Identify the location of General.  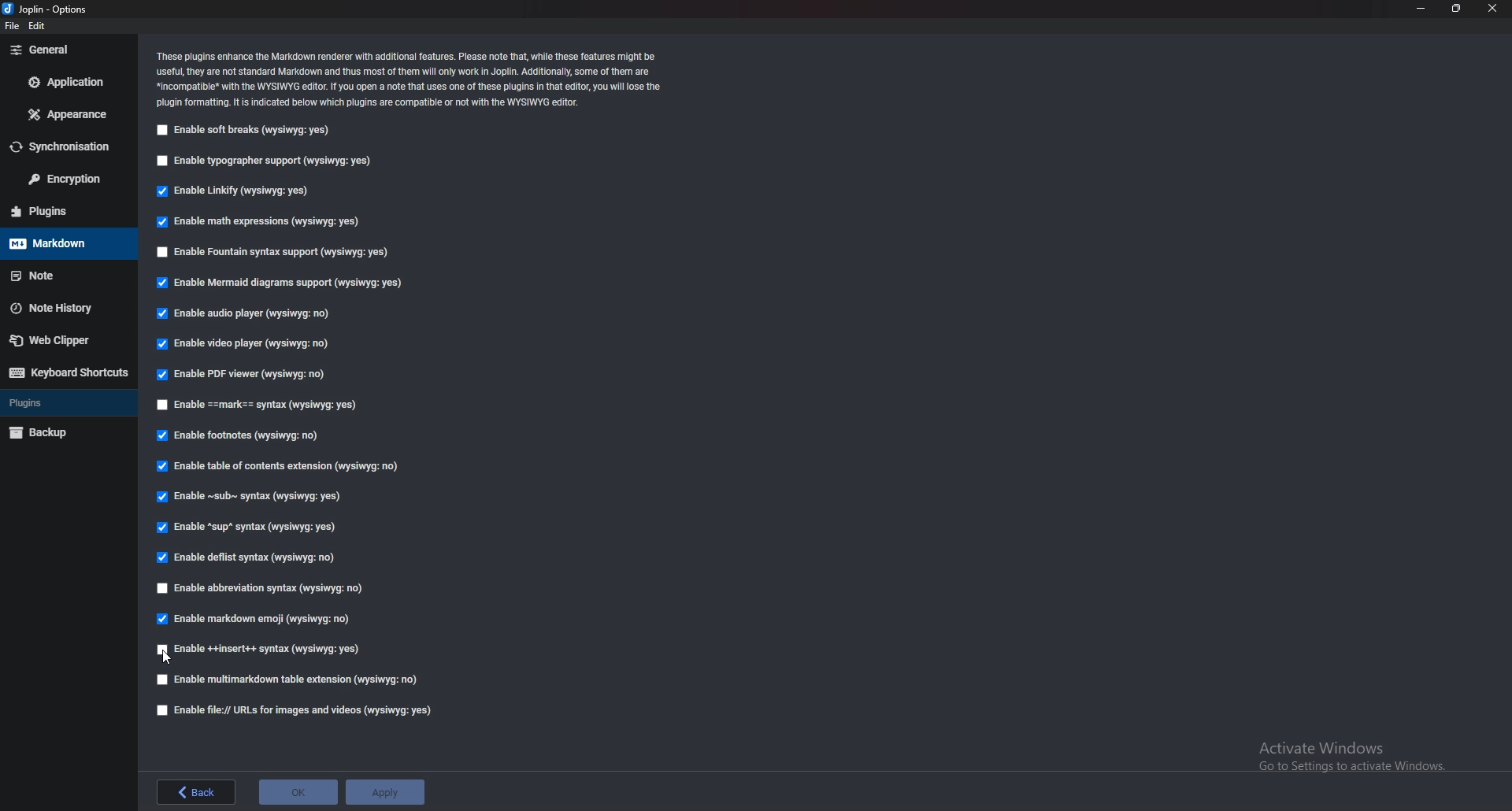
(65, 50).